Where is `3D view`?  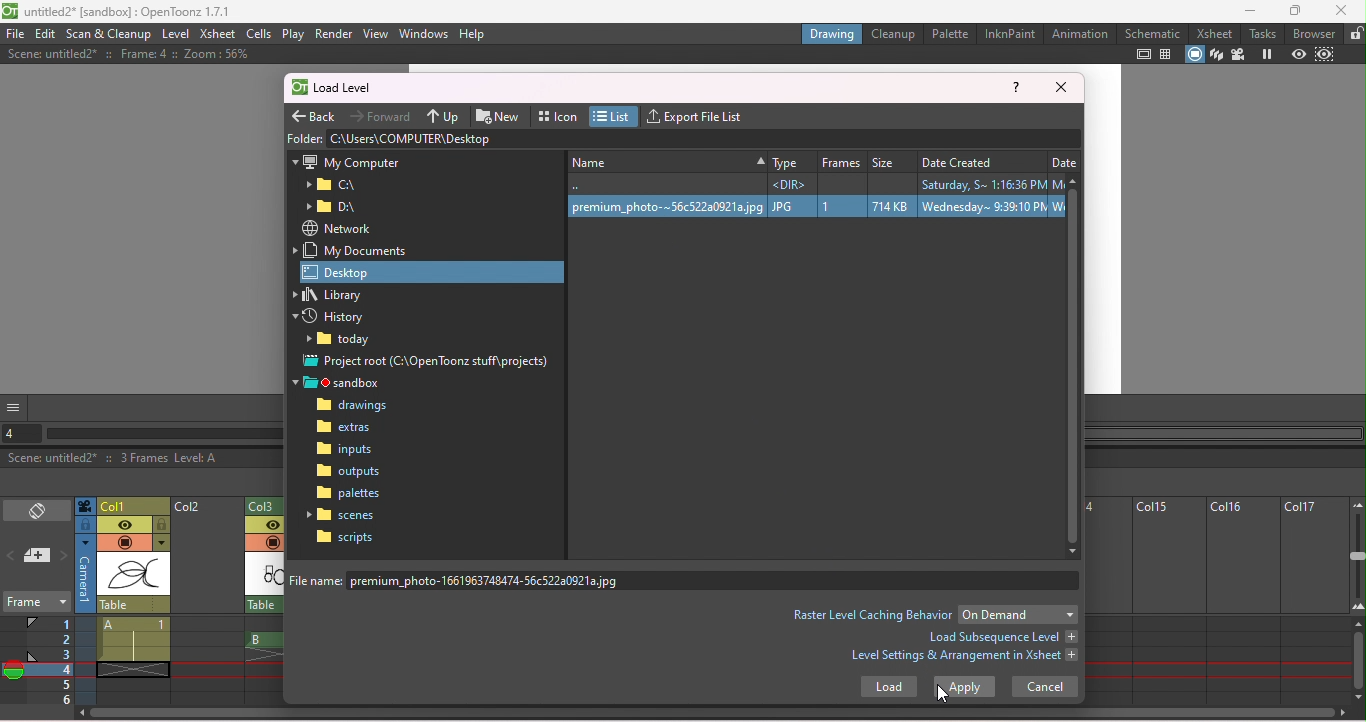 3D view is located at coordinates (1217, 55).